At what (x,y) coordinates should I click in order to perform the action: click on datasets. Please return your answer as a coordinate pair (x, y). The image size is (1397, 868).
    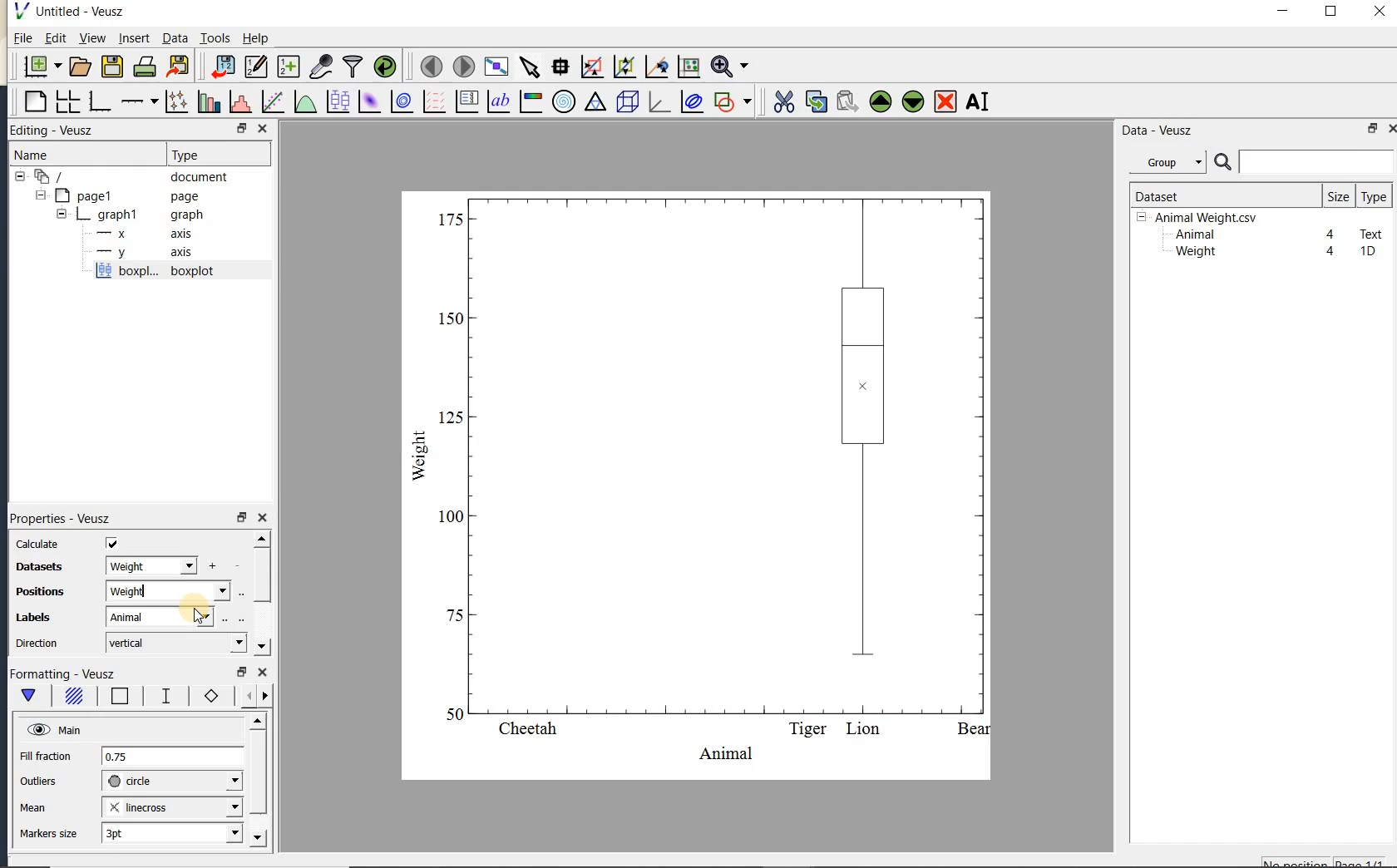
    Looking at the image, I should click on (41, 569).